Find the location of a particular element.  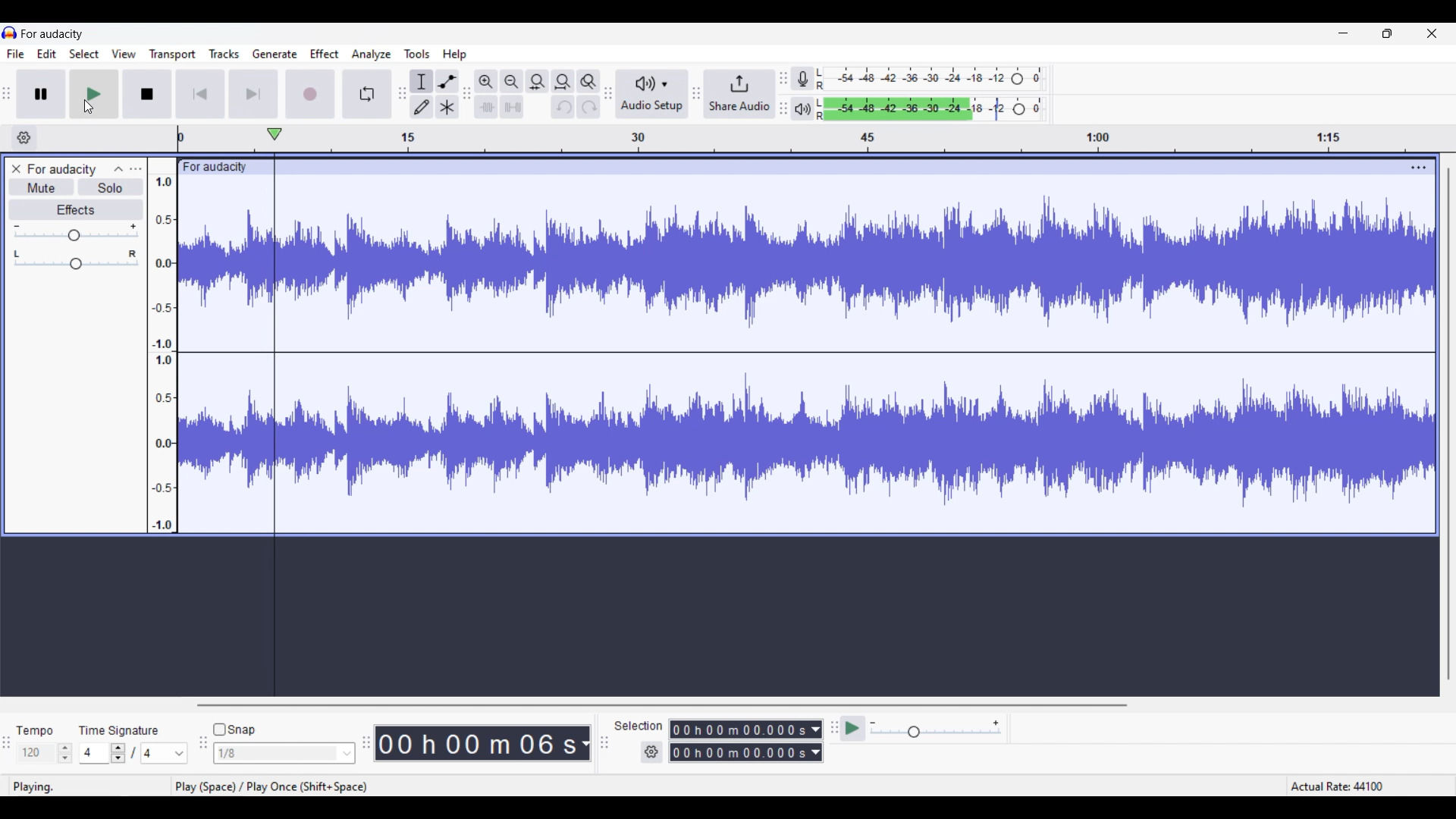

Zoom out is located at coordinates (513, 82).